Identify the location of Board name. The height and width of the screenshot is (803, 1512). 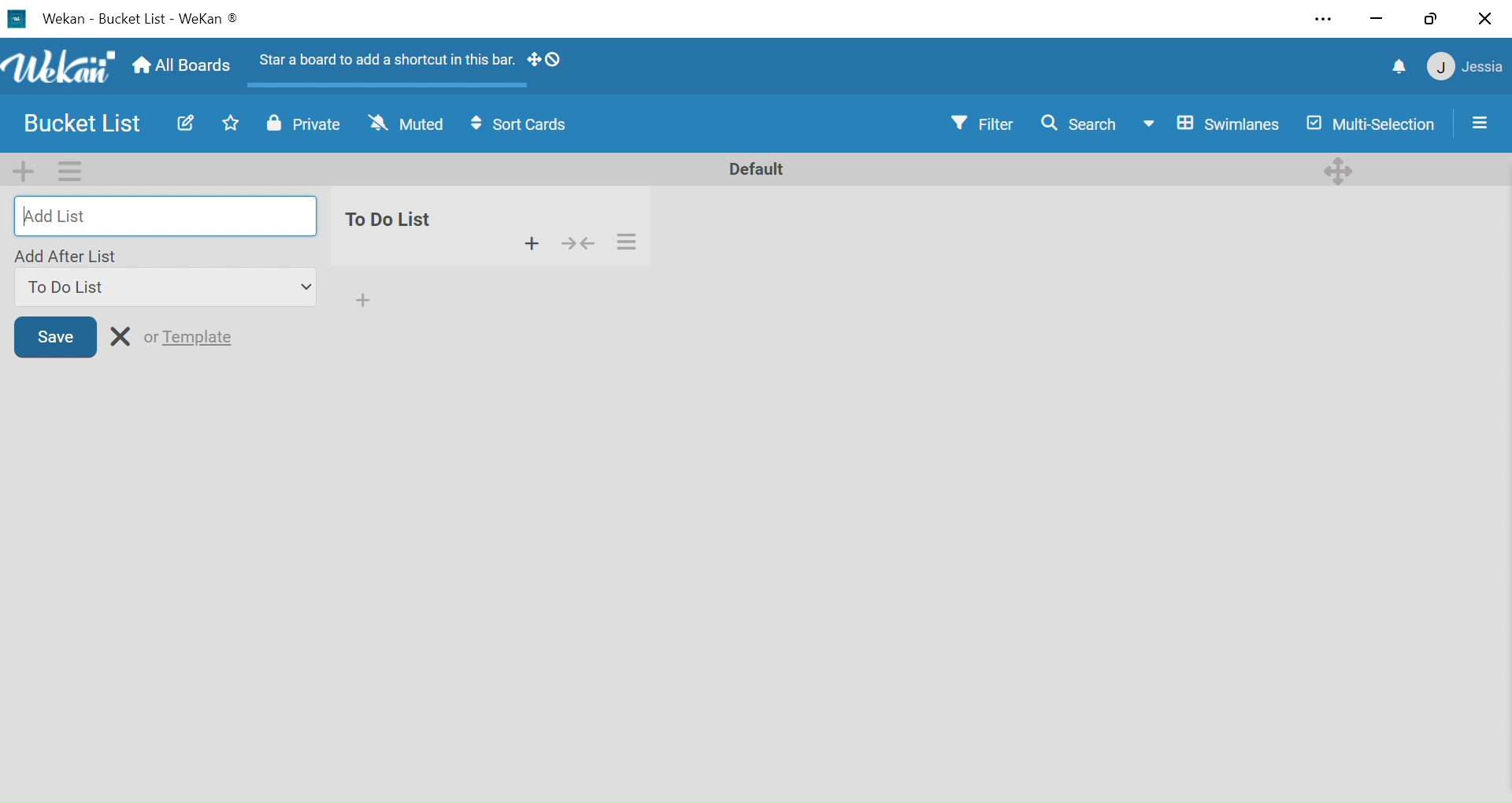
(133, 20).